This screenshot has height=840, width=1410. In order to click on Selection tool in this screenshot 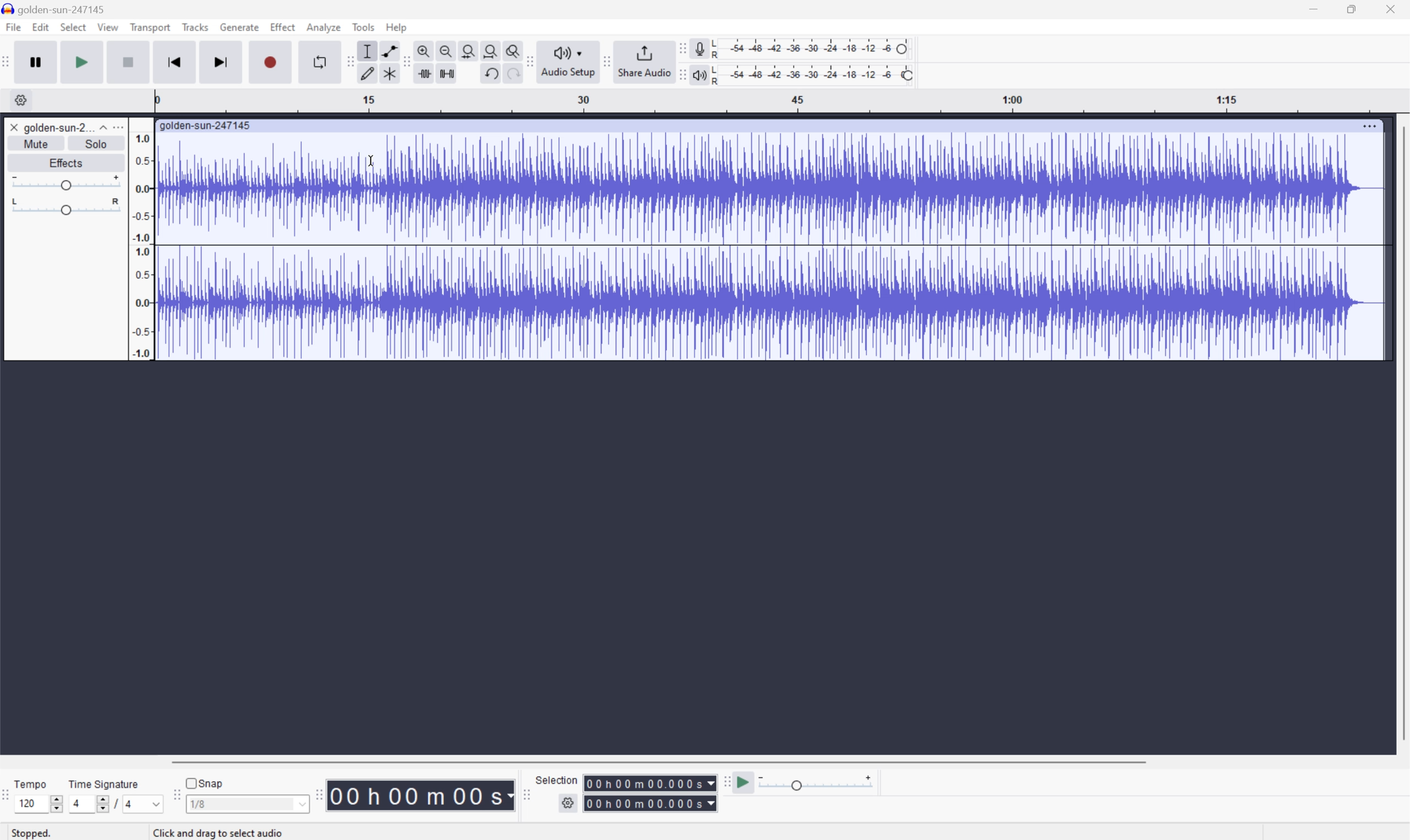, I will do `click(366, 51)`.